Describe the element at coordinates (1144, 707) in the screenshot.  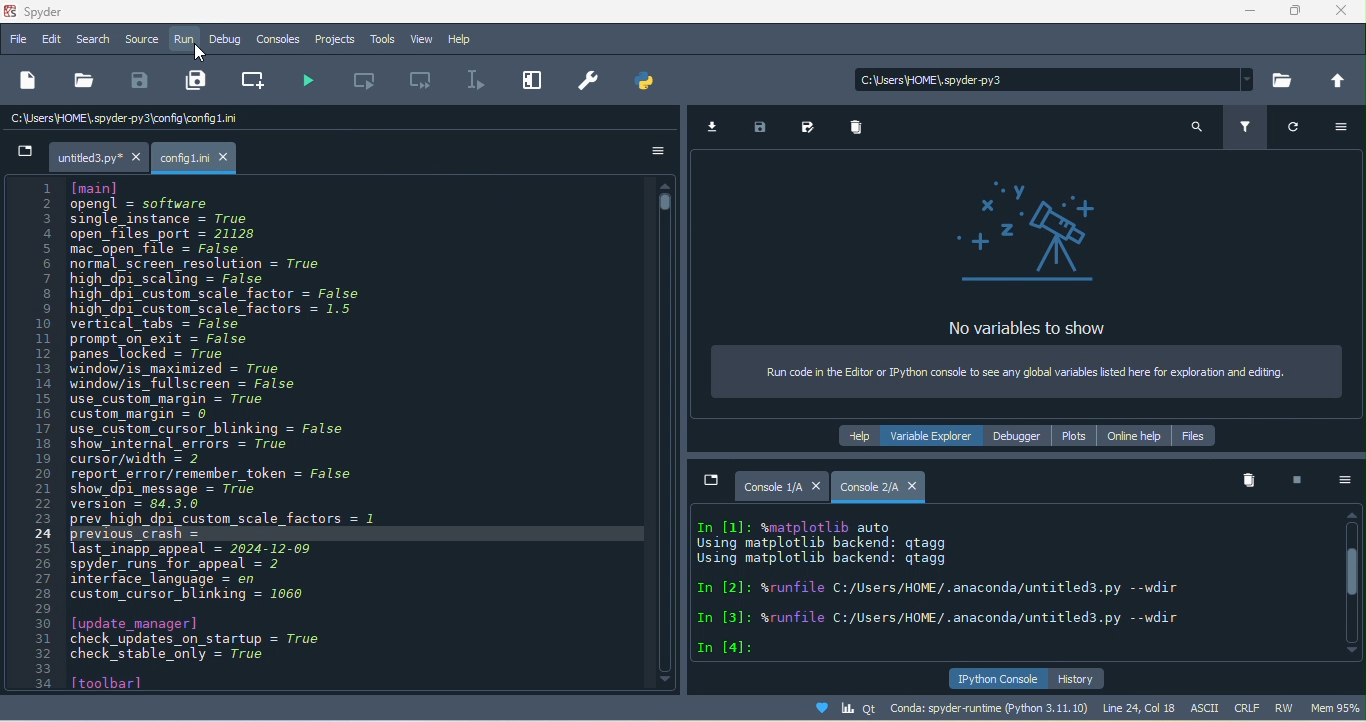
I see `line 24, col 18` at that location.